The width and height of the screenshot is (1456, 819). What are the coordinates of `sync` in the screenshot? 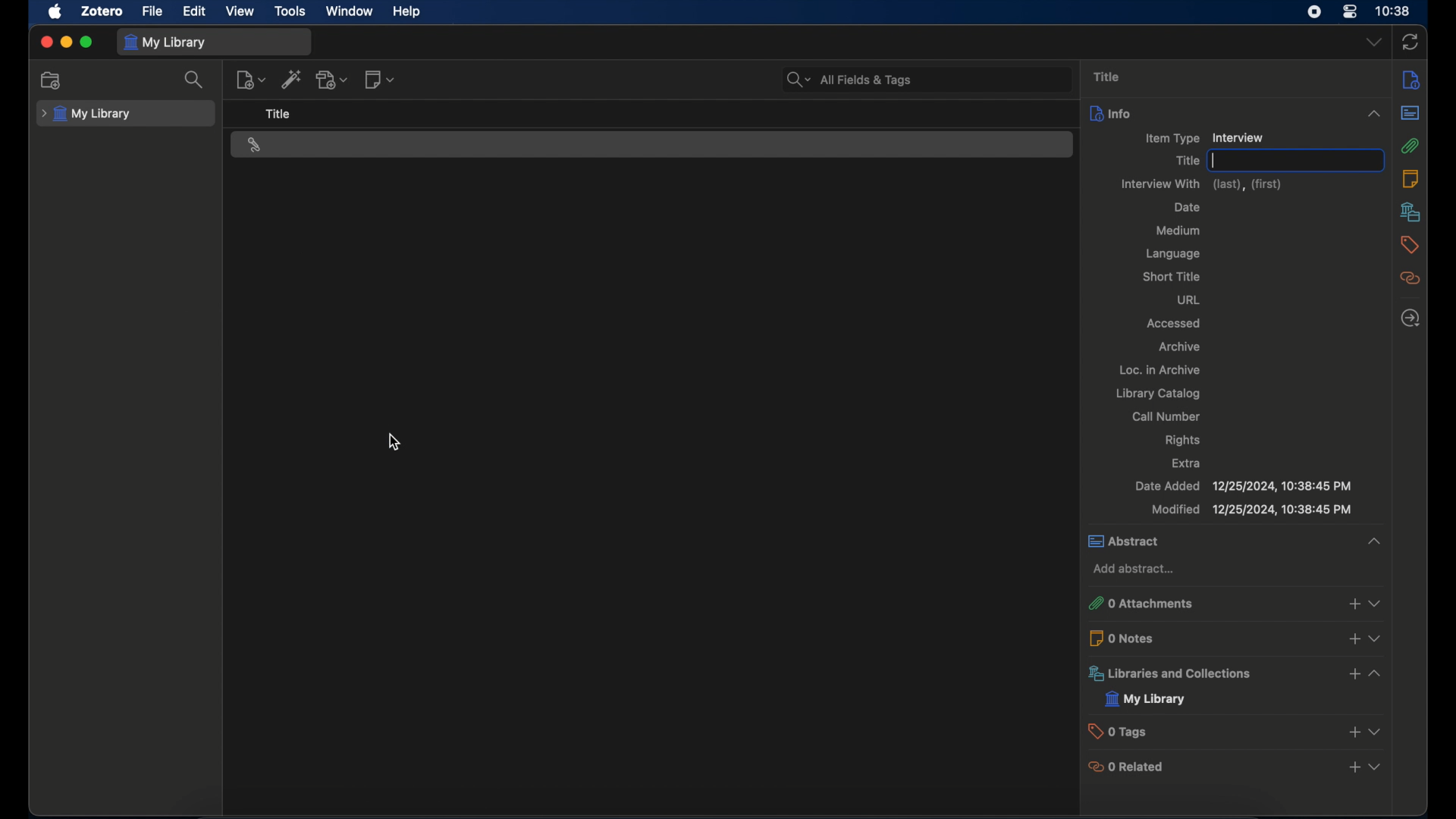 It's located at (1410, 42).